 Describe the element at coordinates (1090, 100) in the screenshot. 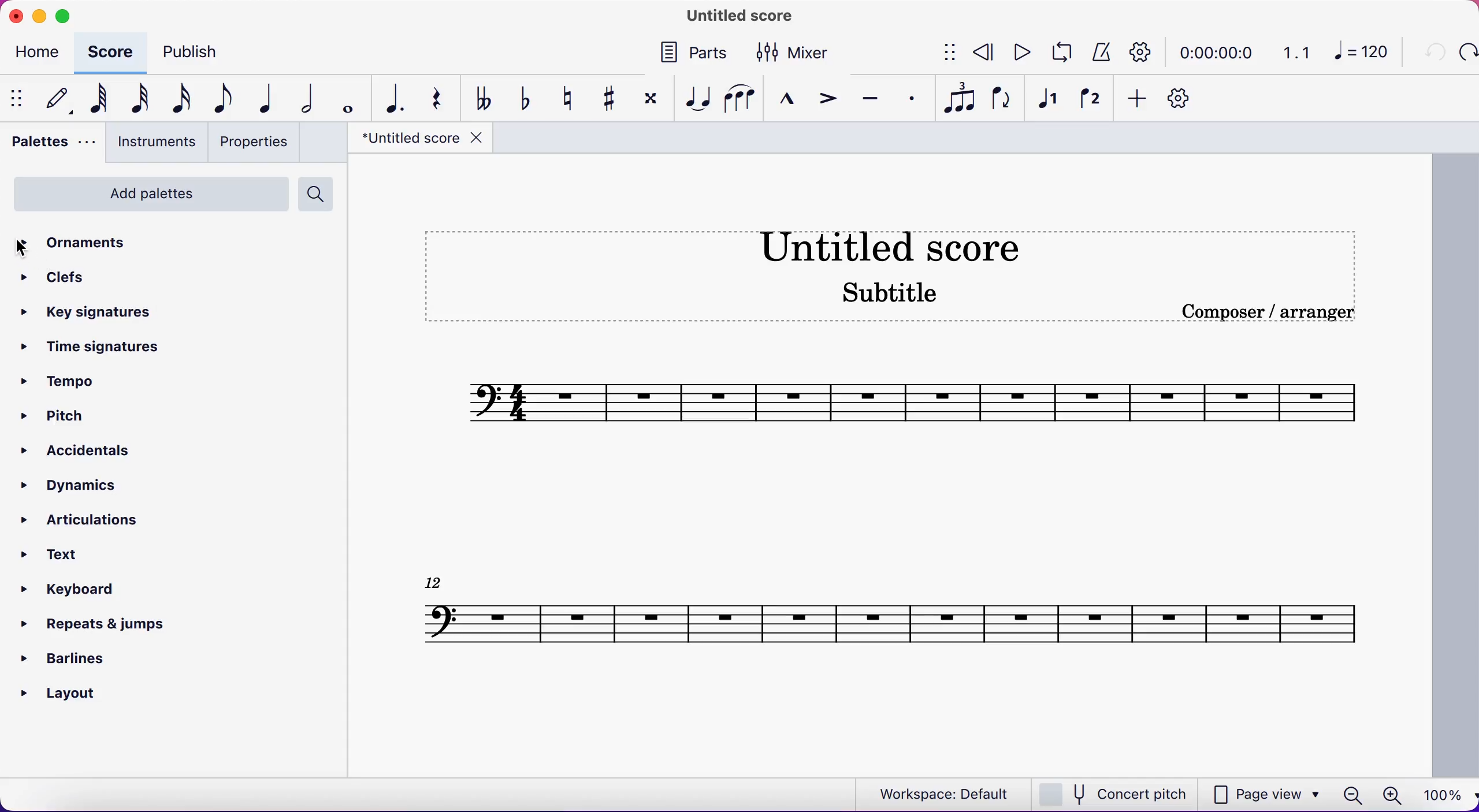

I see `voice 2` at that location.